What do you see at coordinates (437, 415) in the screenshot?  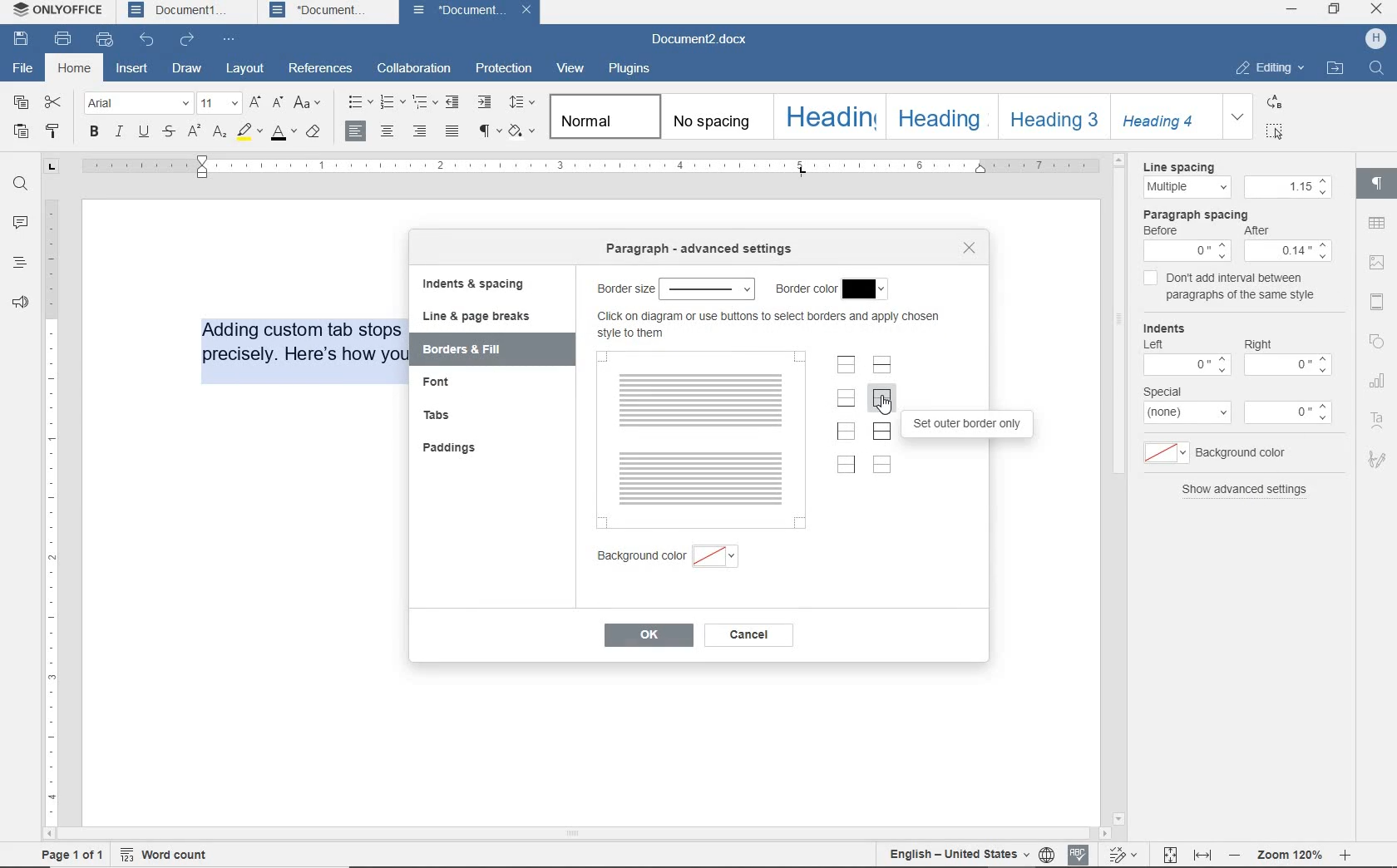 I see `tabs` at bounding box center [437, 415].